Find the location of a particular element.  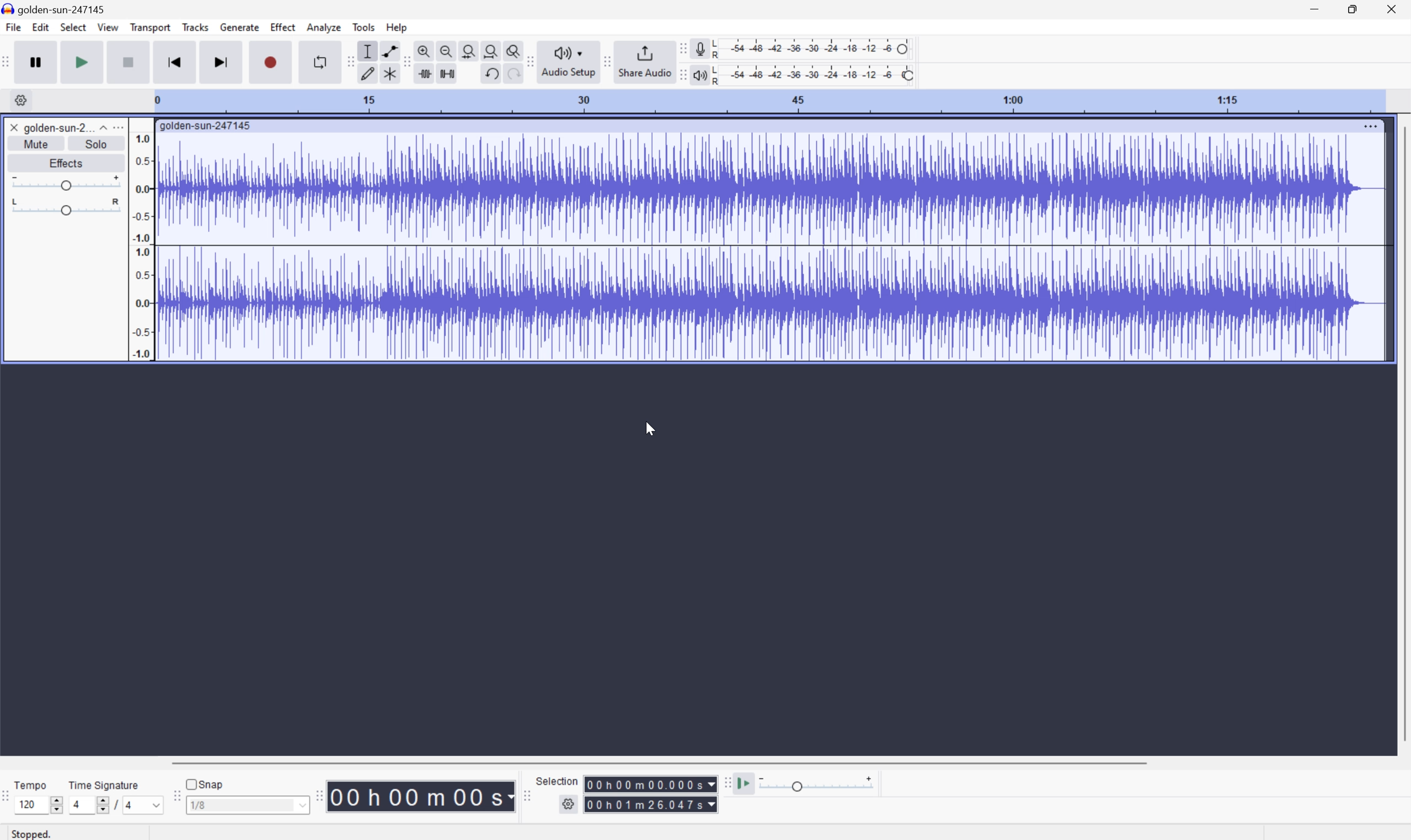

Selection tool is located at coordinates (368, 51).